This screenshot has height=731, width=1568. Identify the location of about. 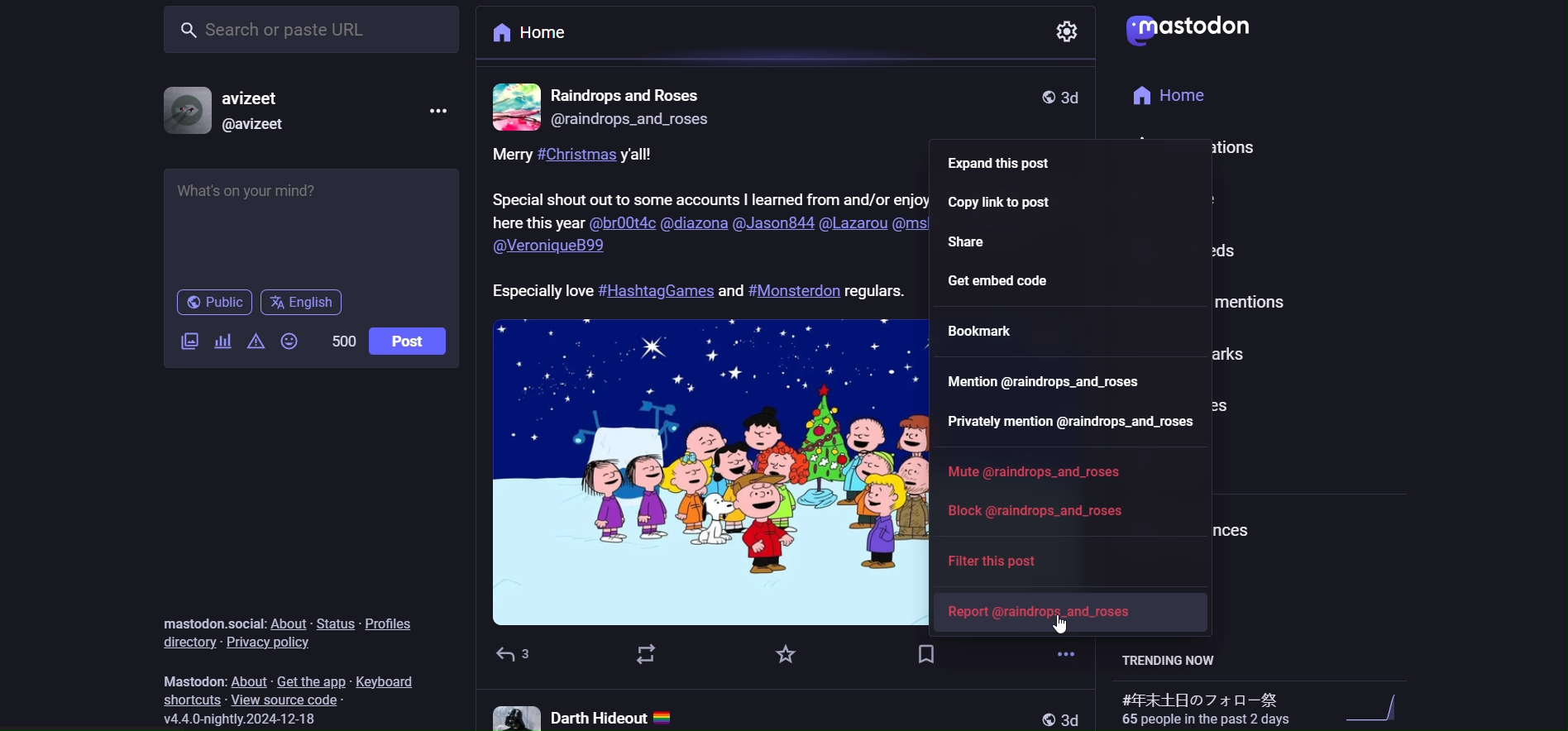
(286, 622).